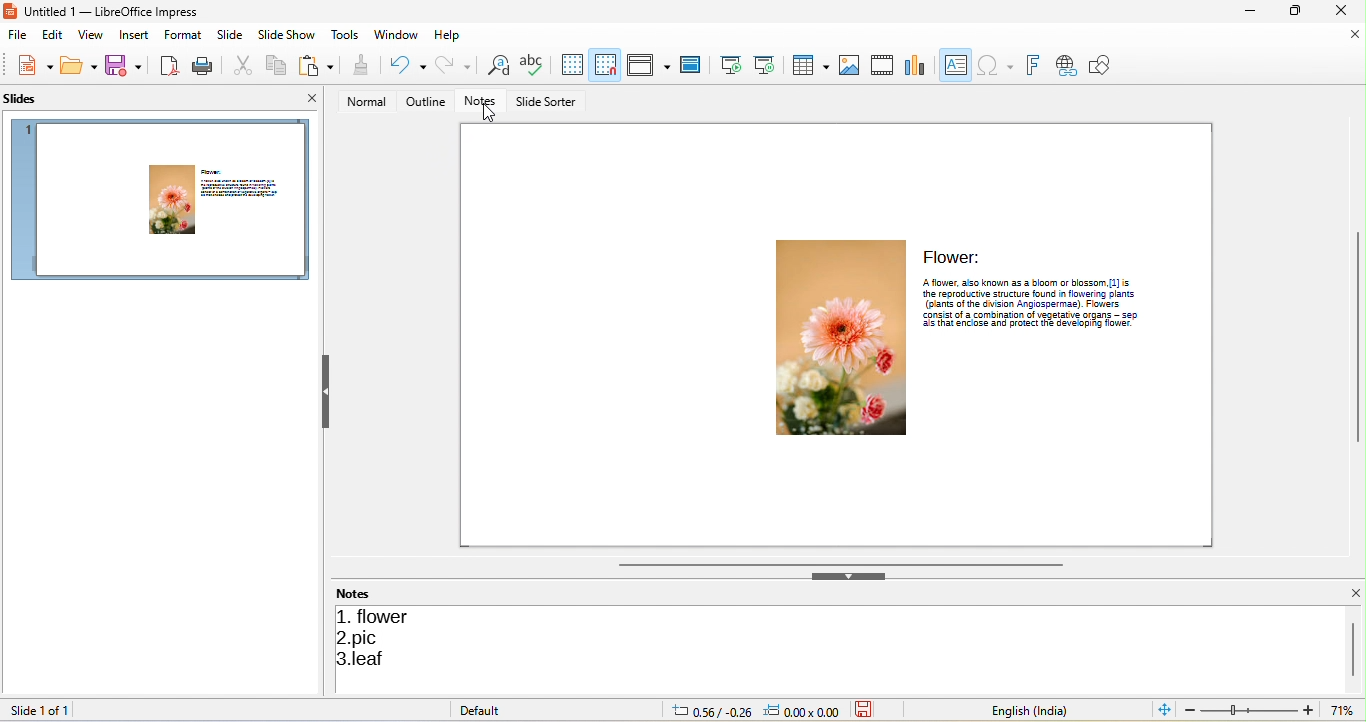  I want to click on default, so click(491, 710).